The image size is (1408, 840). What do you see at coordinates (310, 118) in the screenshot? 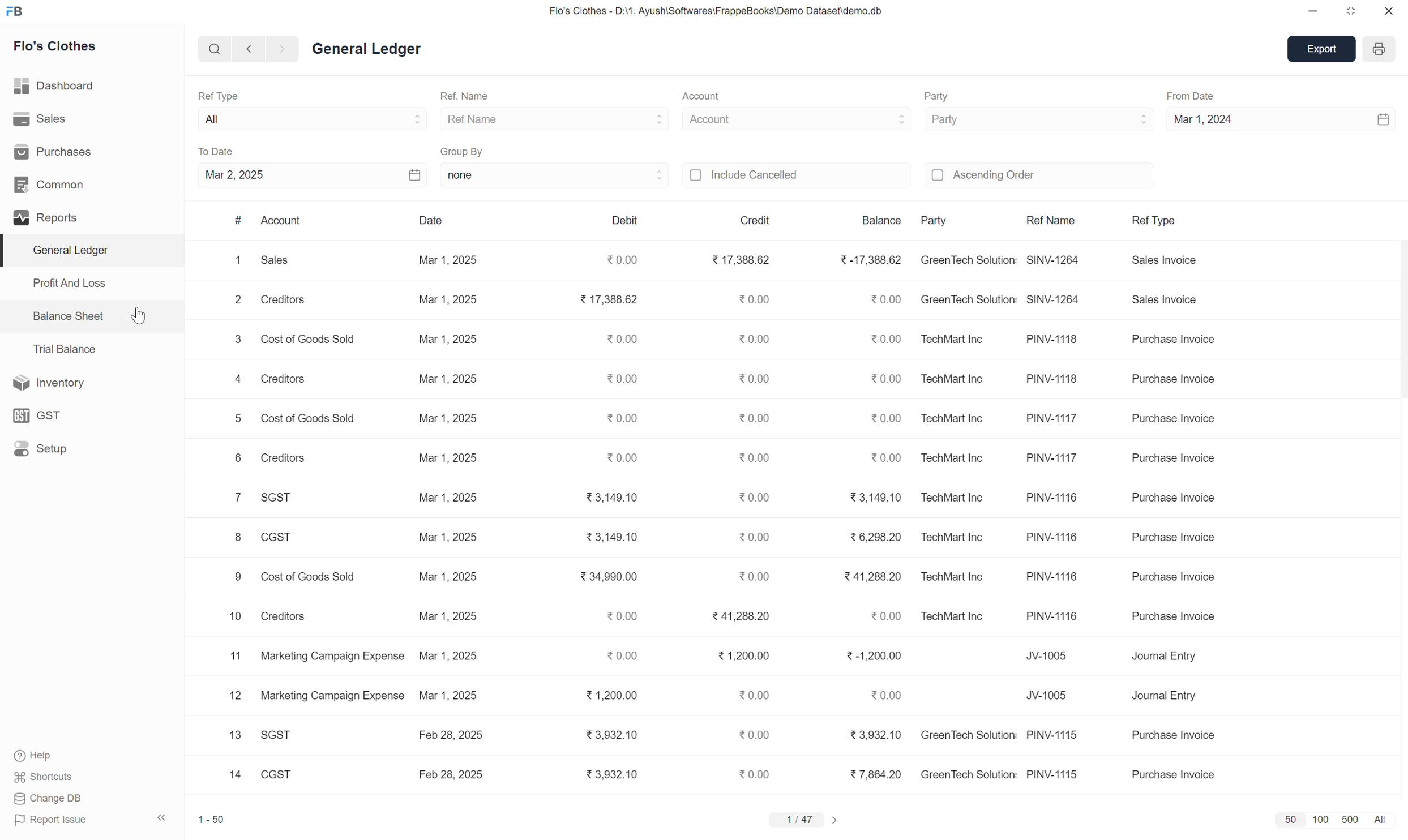
I see `All` at bounding box center [310, 118].